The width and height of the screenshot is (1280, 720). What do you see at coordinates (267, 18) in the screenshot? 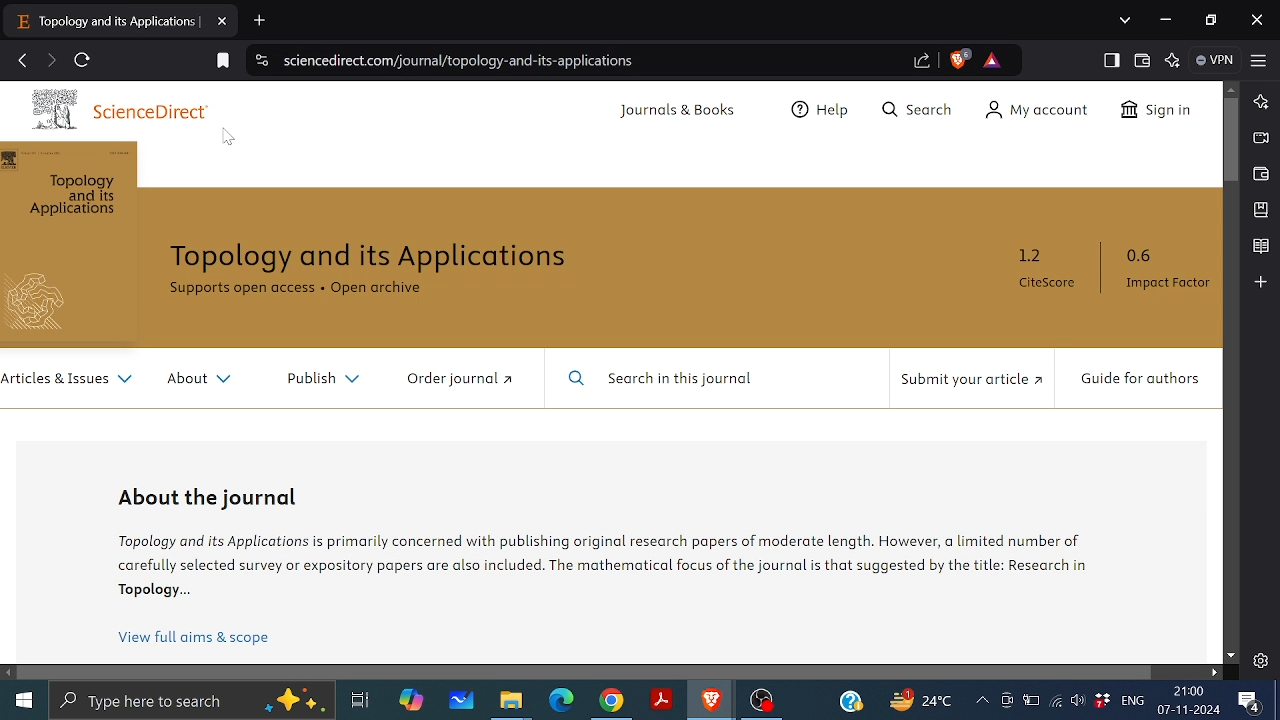
I see `add new tab` at bounding box center [267, 18].